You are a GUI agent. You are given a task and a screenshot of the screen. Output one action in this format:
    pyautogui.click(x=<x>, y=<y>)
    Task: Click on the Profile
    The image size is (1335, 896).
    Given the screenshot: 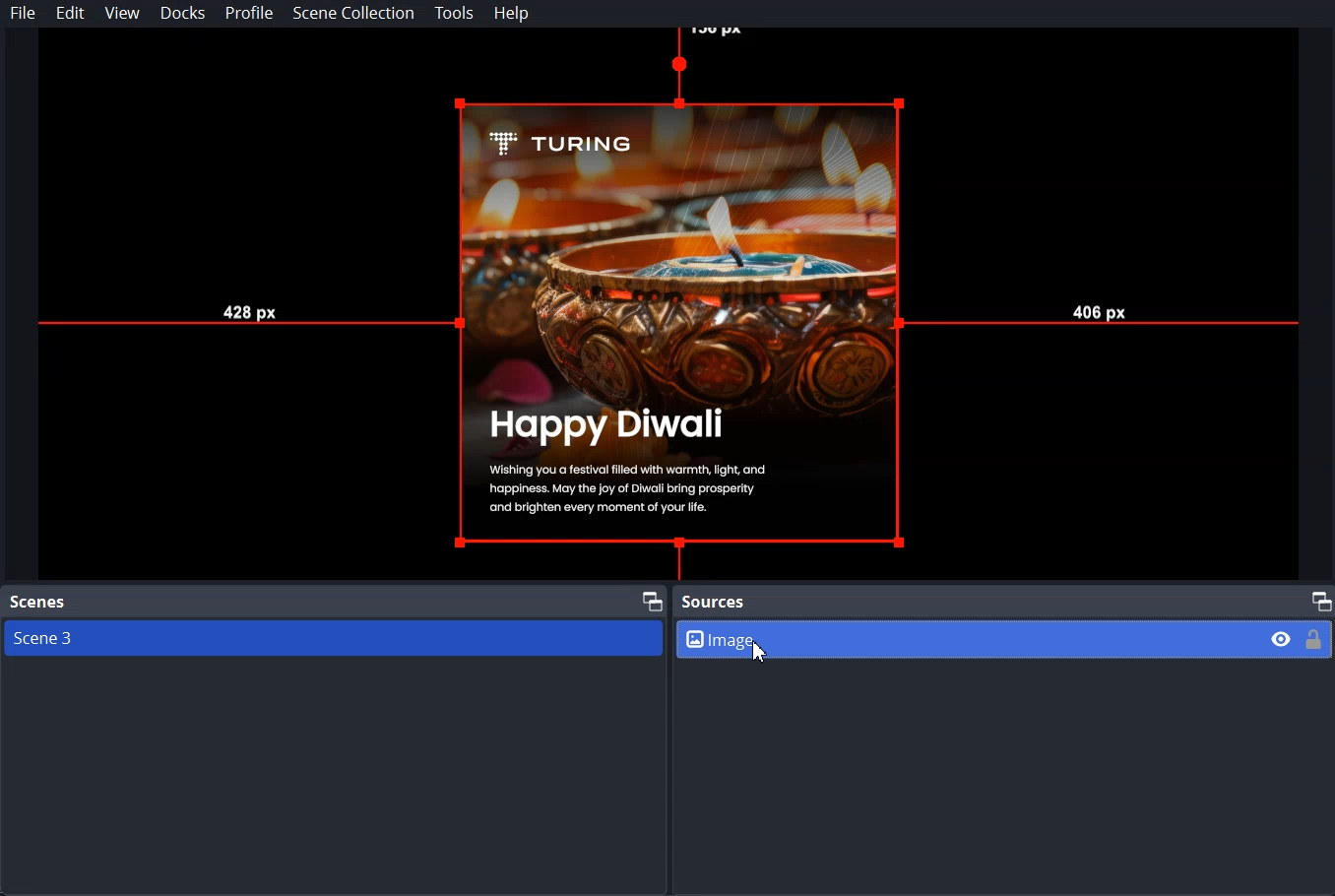 What is the action you would take?
    pyautogui.click(x=249, y=14)
    